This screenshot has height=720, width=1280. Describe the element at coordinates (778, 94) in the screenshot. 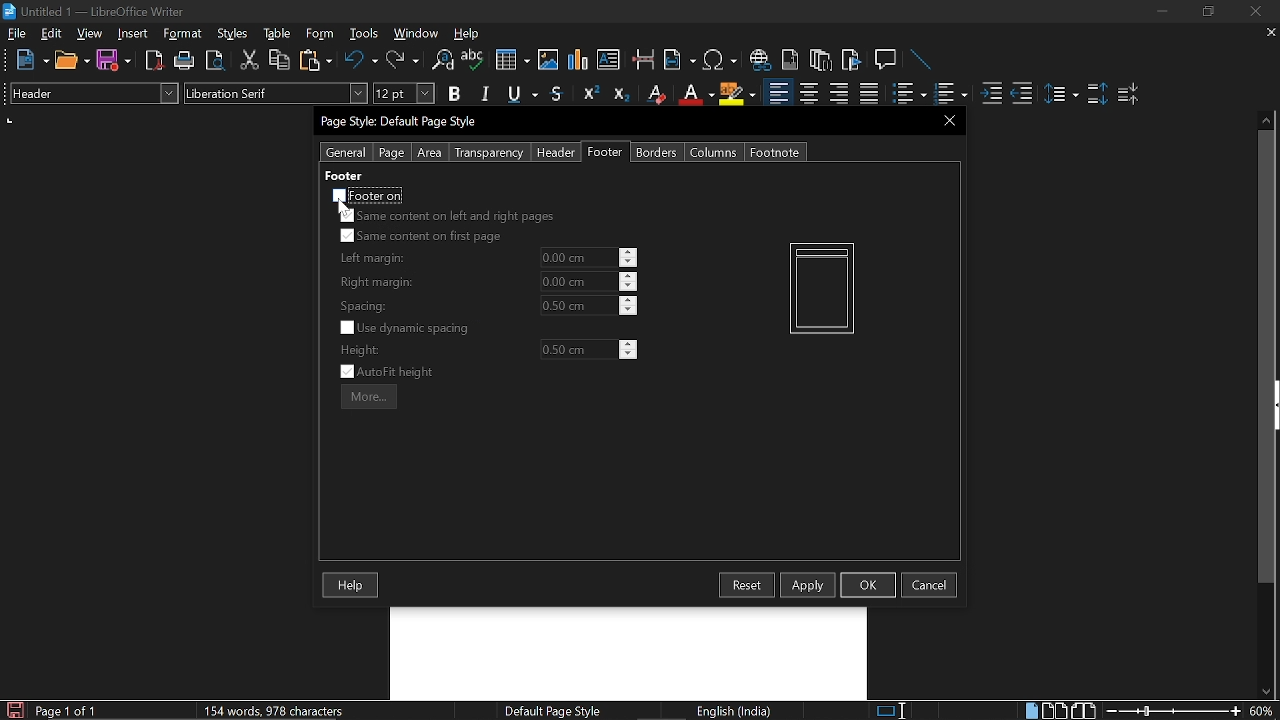

I see `Align left` at that location.